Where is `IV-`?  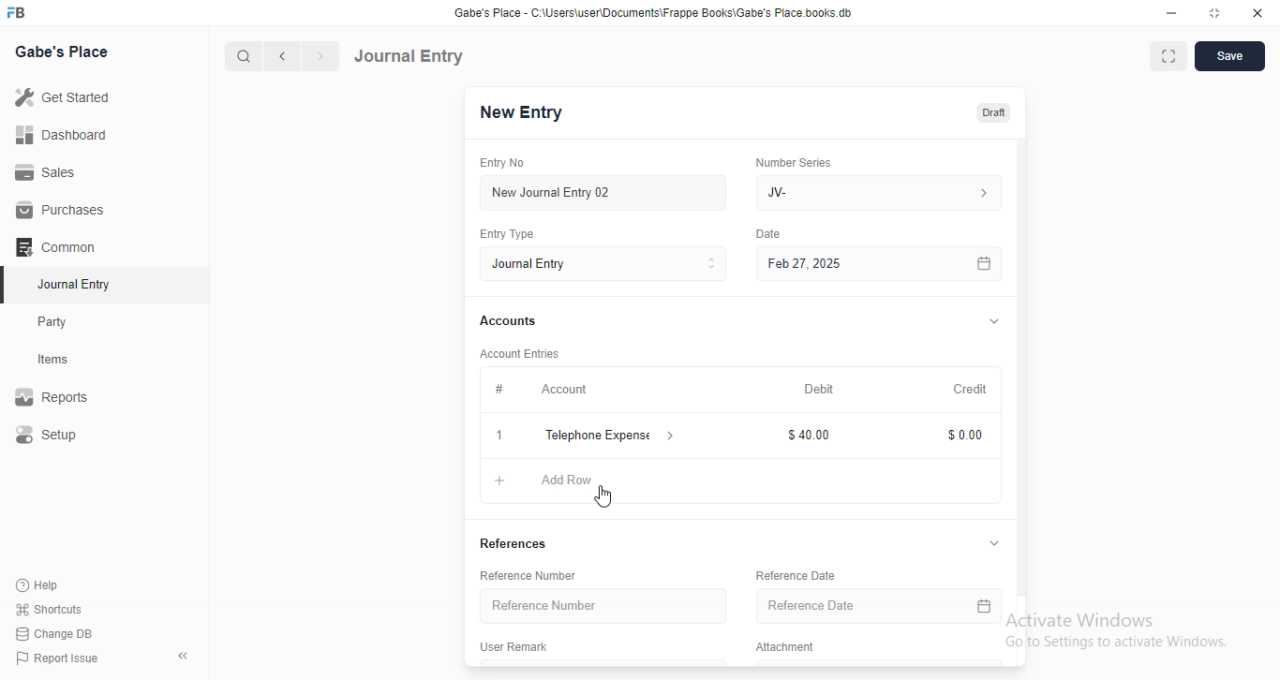
IV- is located at coordinates (877, 192).